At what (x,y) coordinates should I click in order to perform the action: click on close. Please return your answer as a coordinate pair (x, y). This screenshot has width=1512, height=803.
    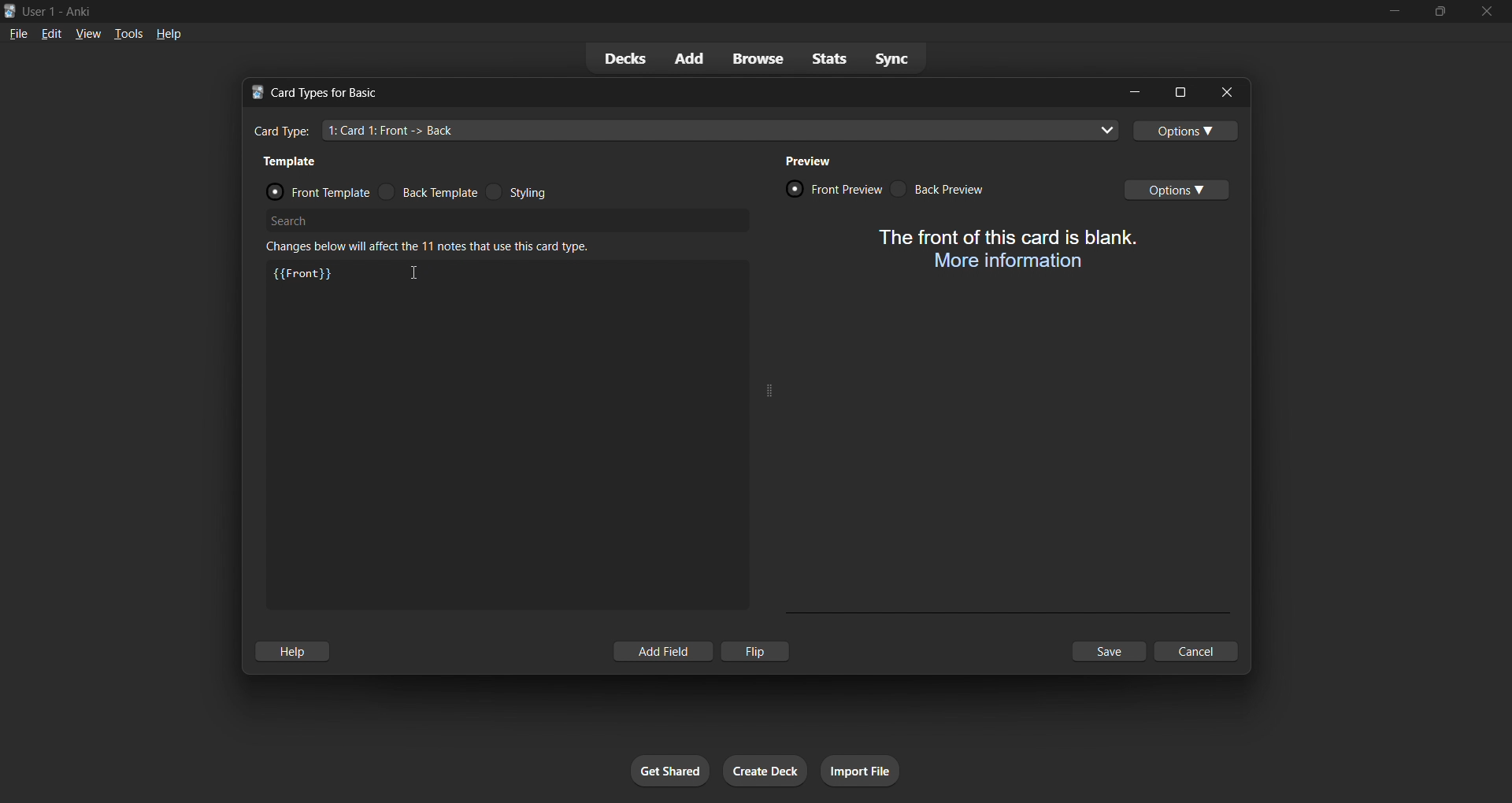
    Looking at the image, I should click on (1223, 92).